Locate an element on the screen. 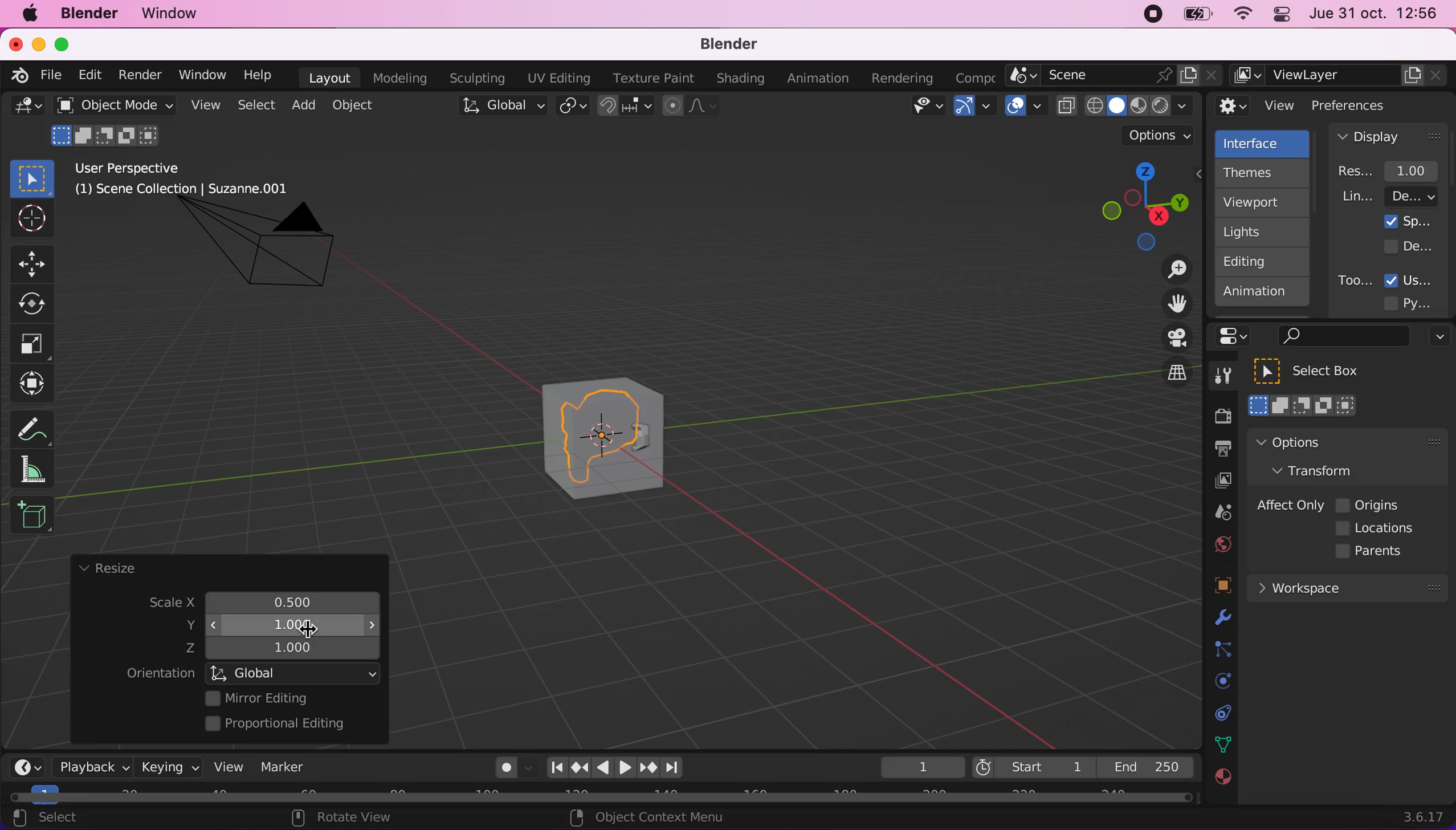 This screenshot has height=830, width=1456. playback is located at coordinates (89, 766).